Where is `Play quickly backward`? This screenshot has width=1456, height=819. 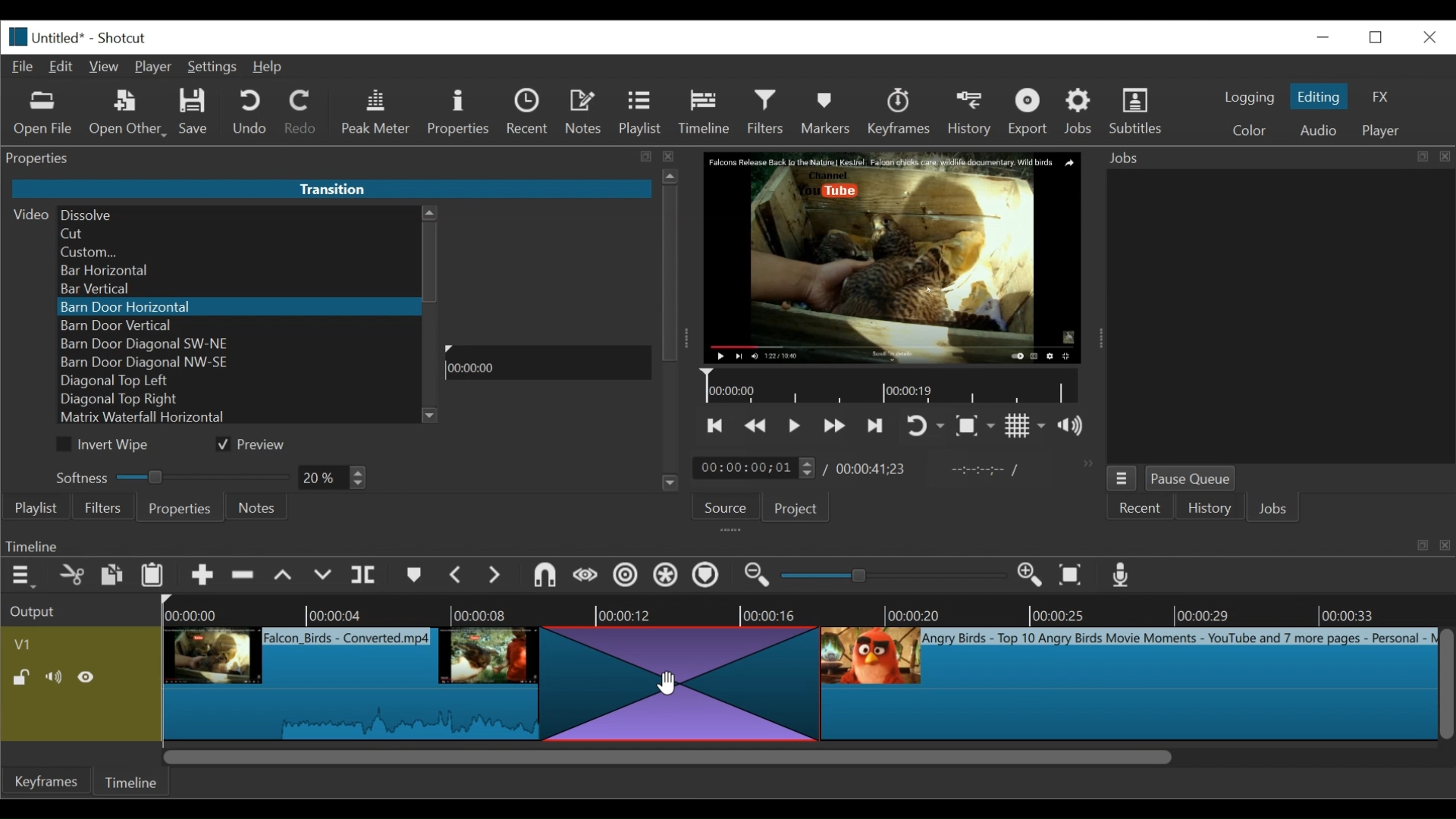 Play quickly backward is located at coordinates (758, 425).